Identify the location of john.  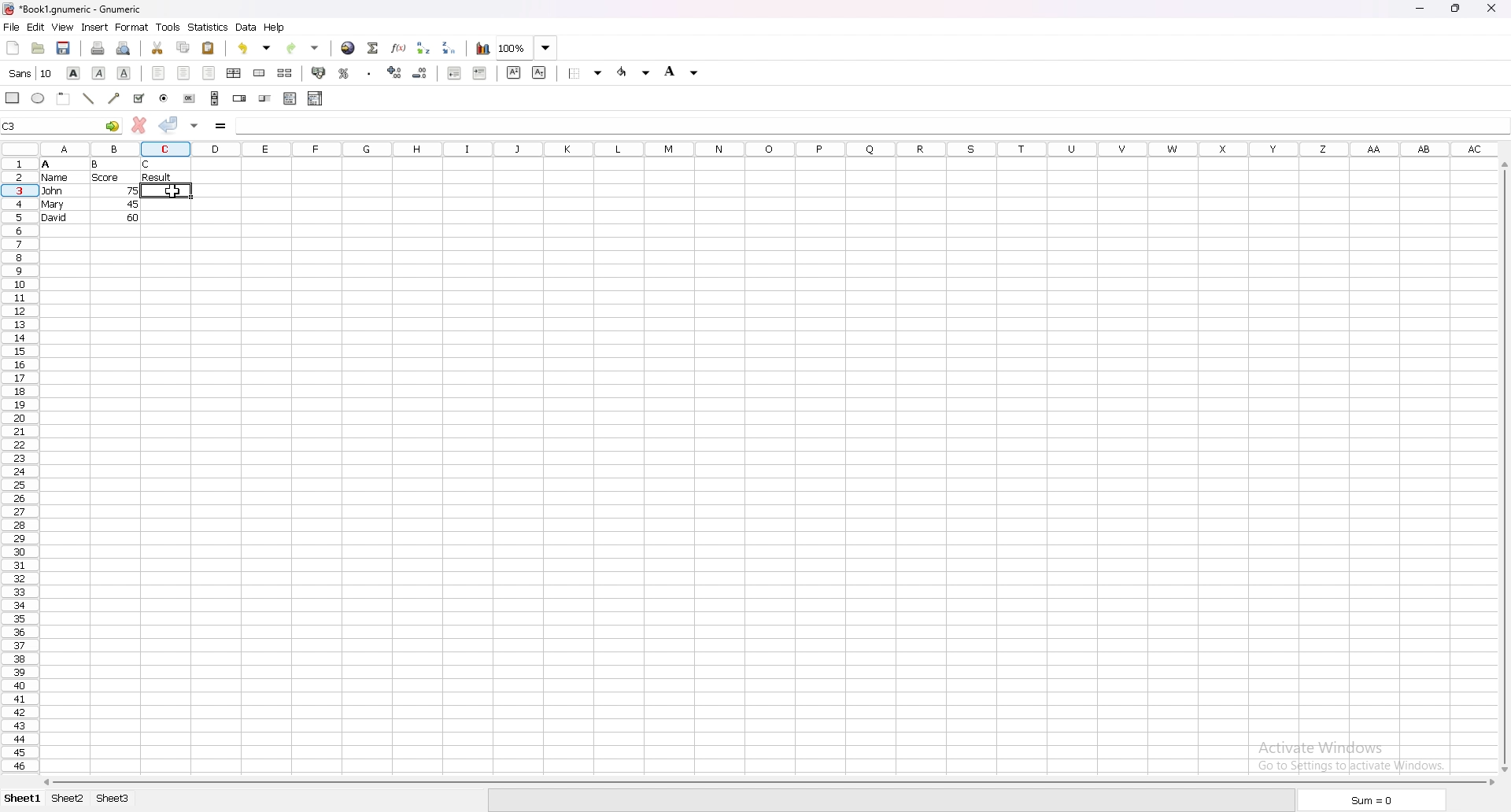
(52, 190).